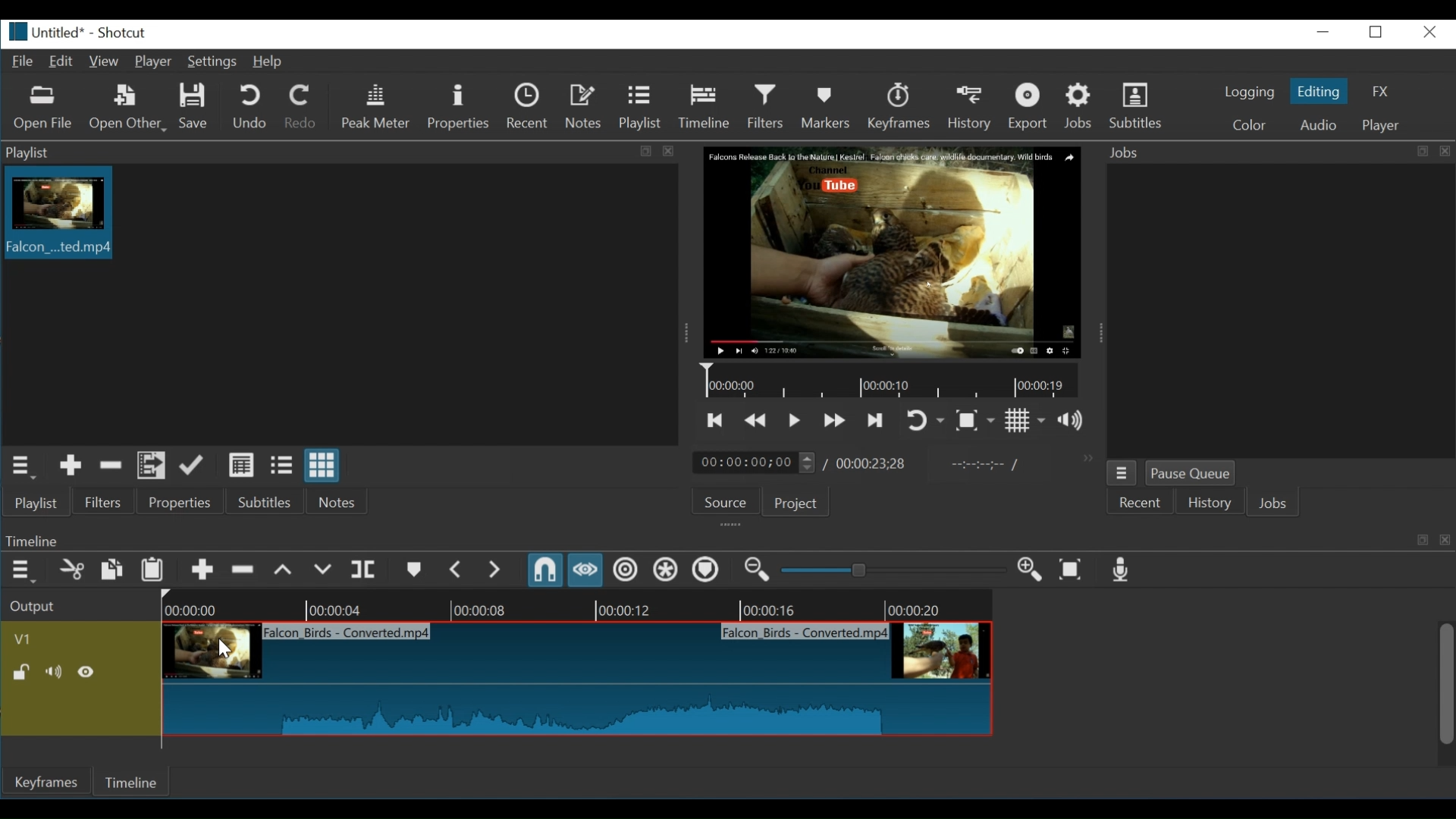  I want to click on Append, so click(203, 570).